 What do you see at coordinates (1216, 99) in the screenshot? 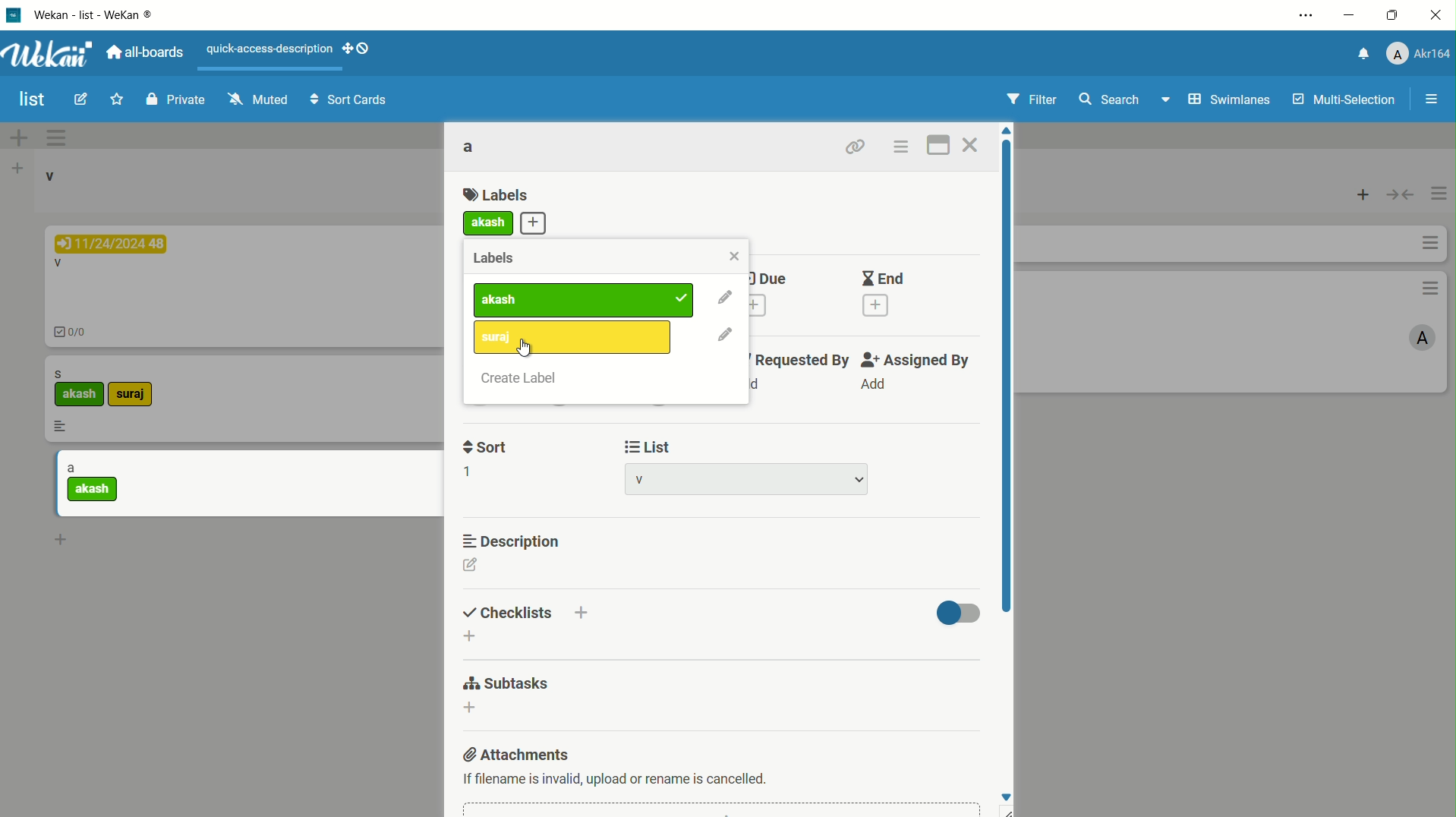
I see `swimlanes` at bounding box center [1216, 99].